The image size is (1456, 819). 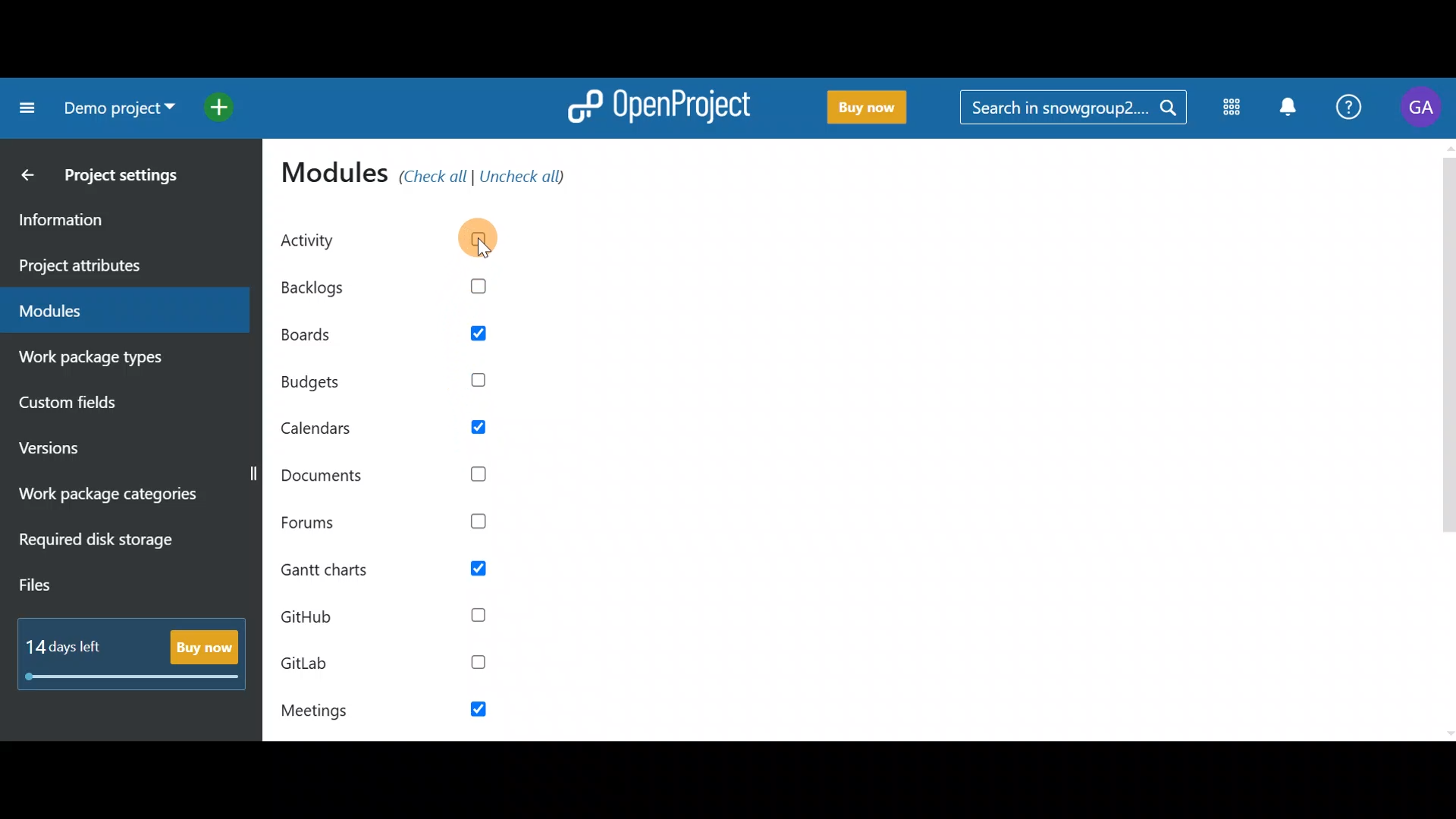 I want to click on Gantt charts, so click(x=394, y=570).